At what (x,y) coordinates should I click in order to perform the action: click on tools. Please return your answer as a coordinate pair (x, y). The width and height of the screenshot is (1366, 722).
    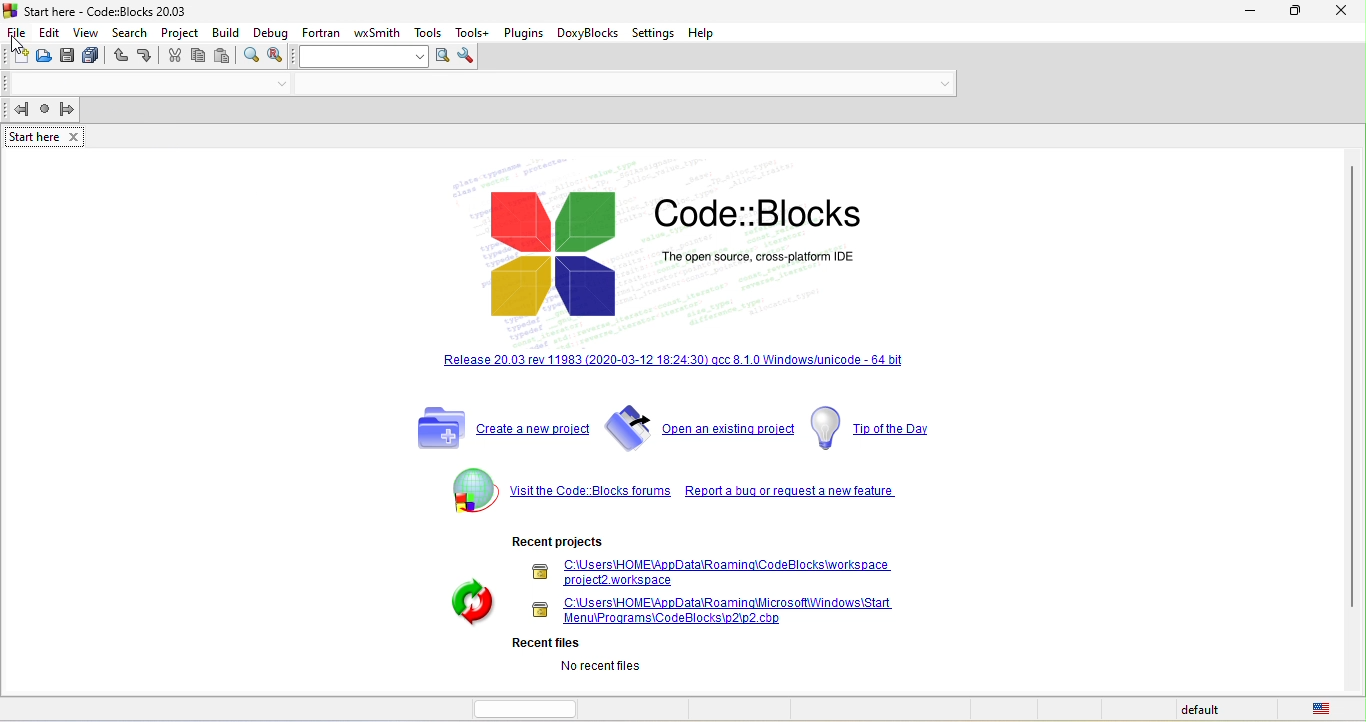
    Looking at the image, I should click on (430, 32).